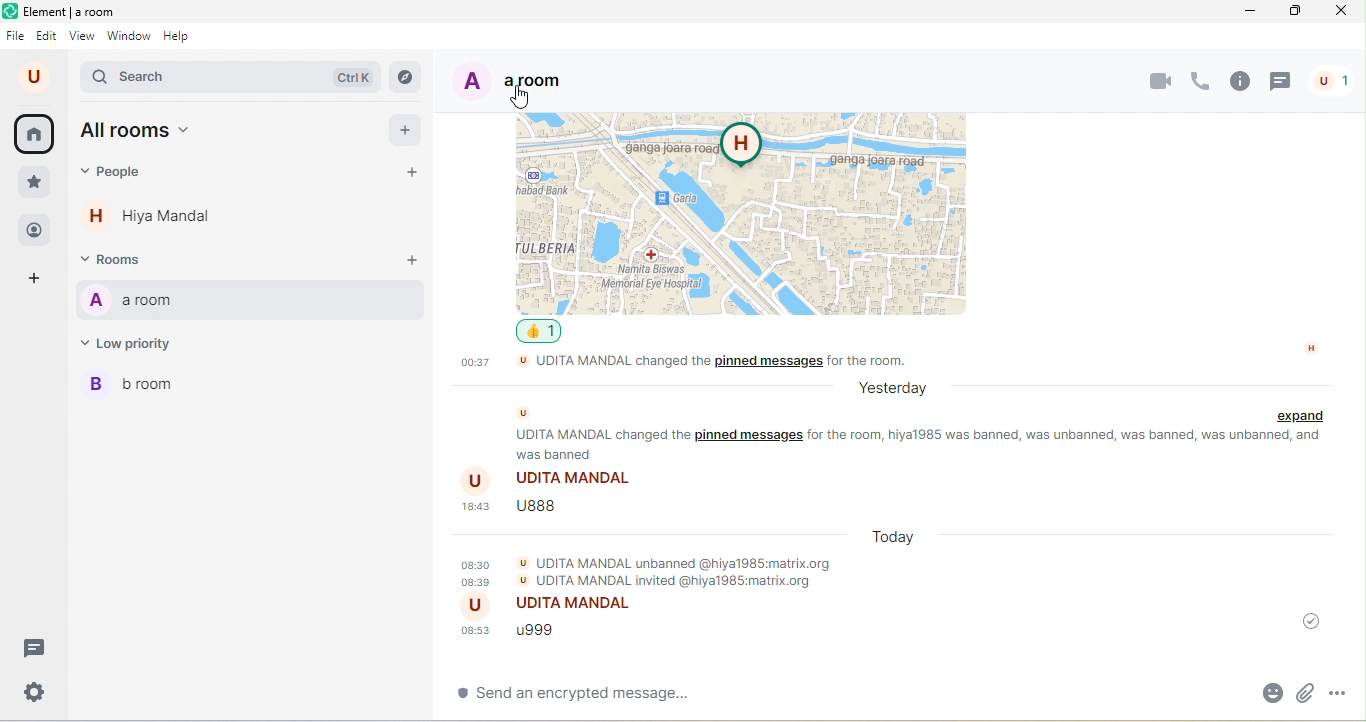 The width and height of the screenshot is (1366, 722). I want to click on text, so click(923, 446).